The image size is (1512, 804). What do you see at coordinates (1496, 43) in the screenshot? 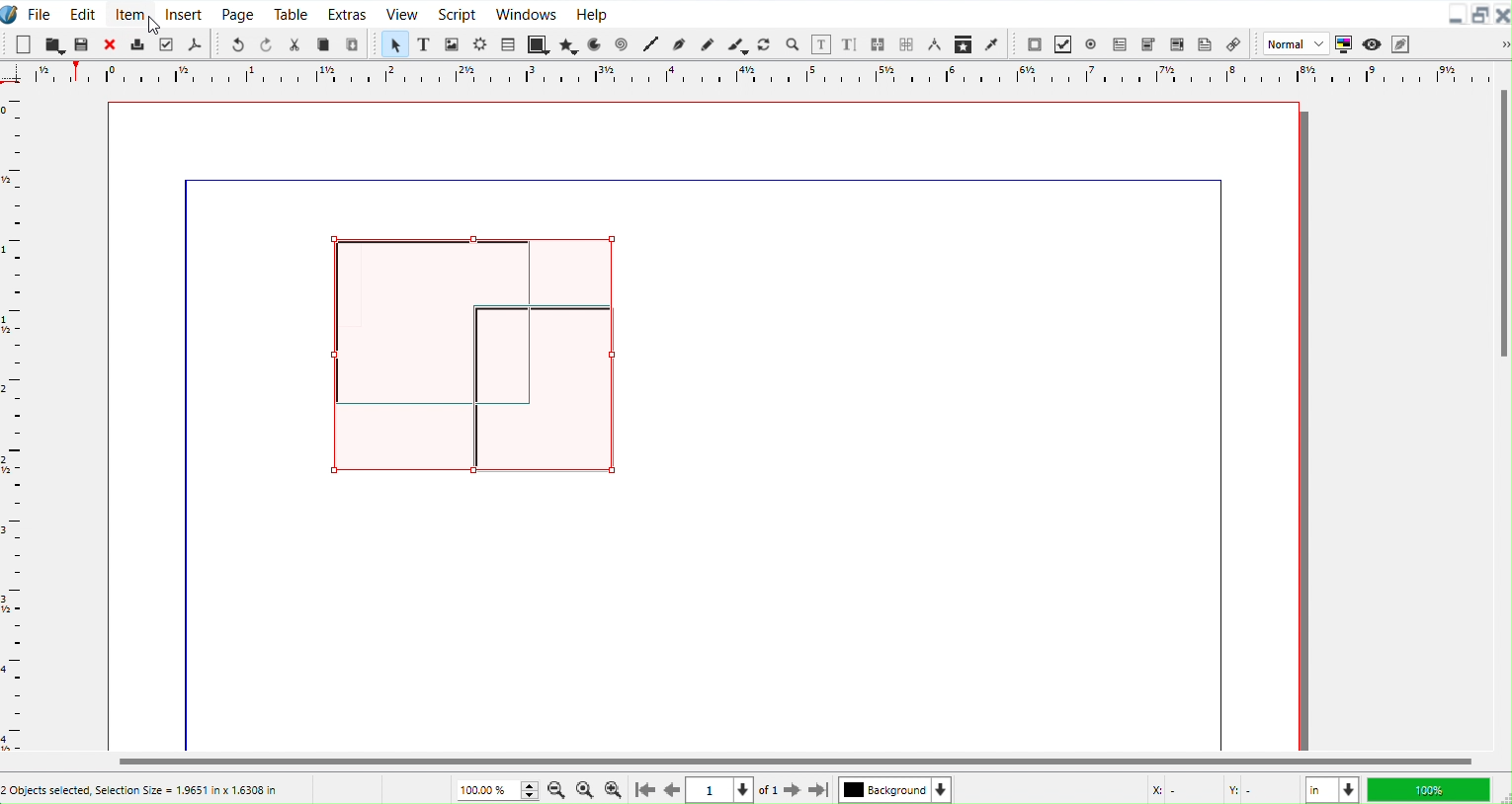
I see `Drop down box` at bounding box center [1496, 43].